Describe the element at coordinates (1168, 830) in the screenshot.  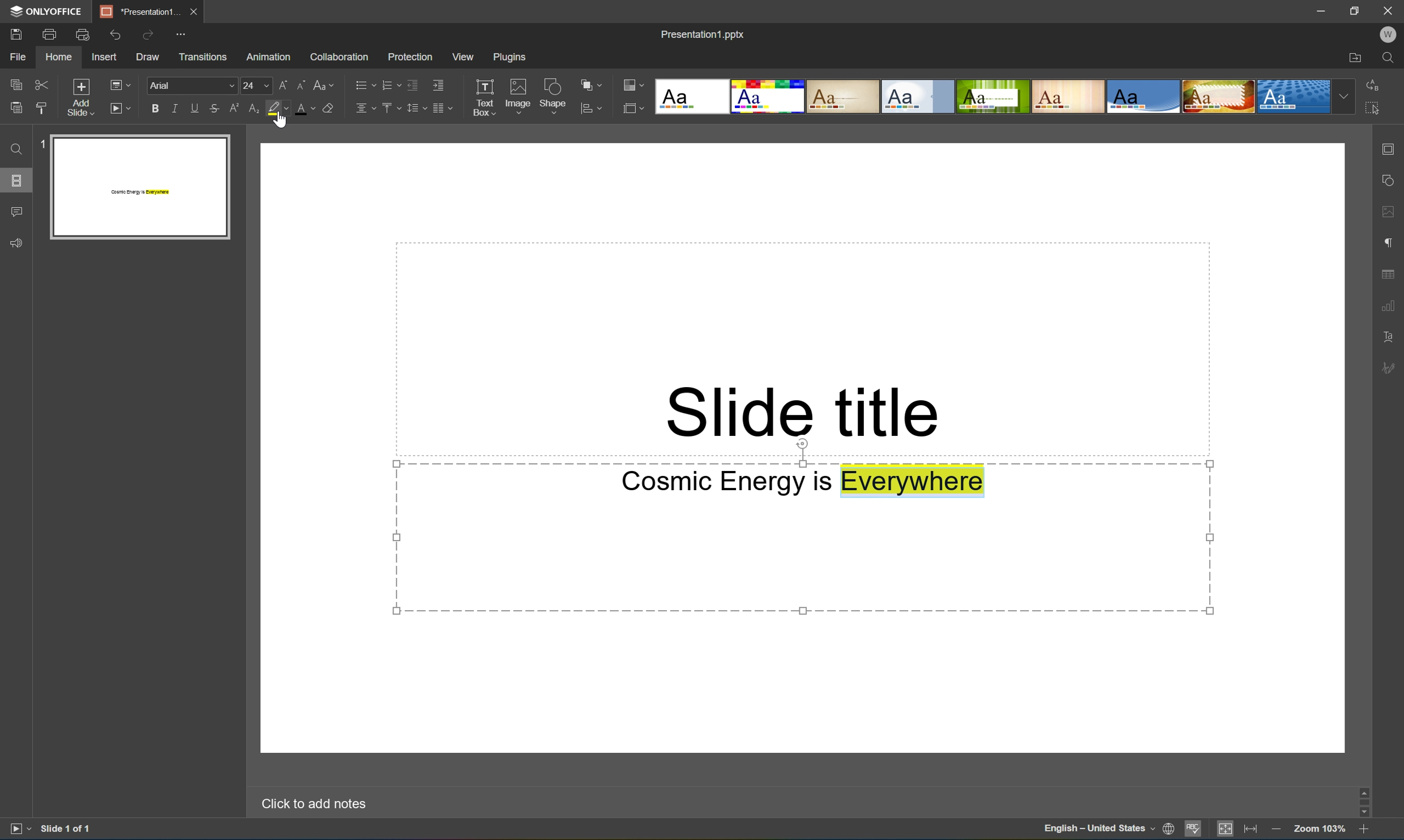
I see `Set document language` at that location.